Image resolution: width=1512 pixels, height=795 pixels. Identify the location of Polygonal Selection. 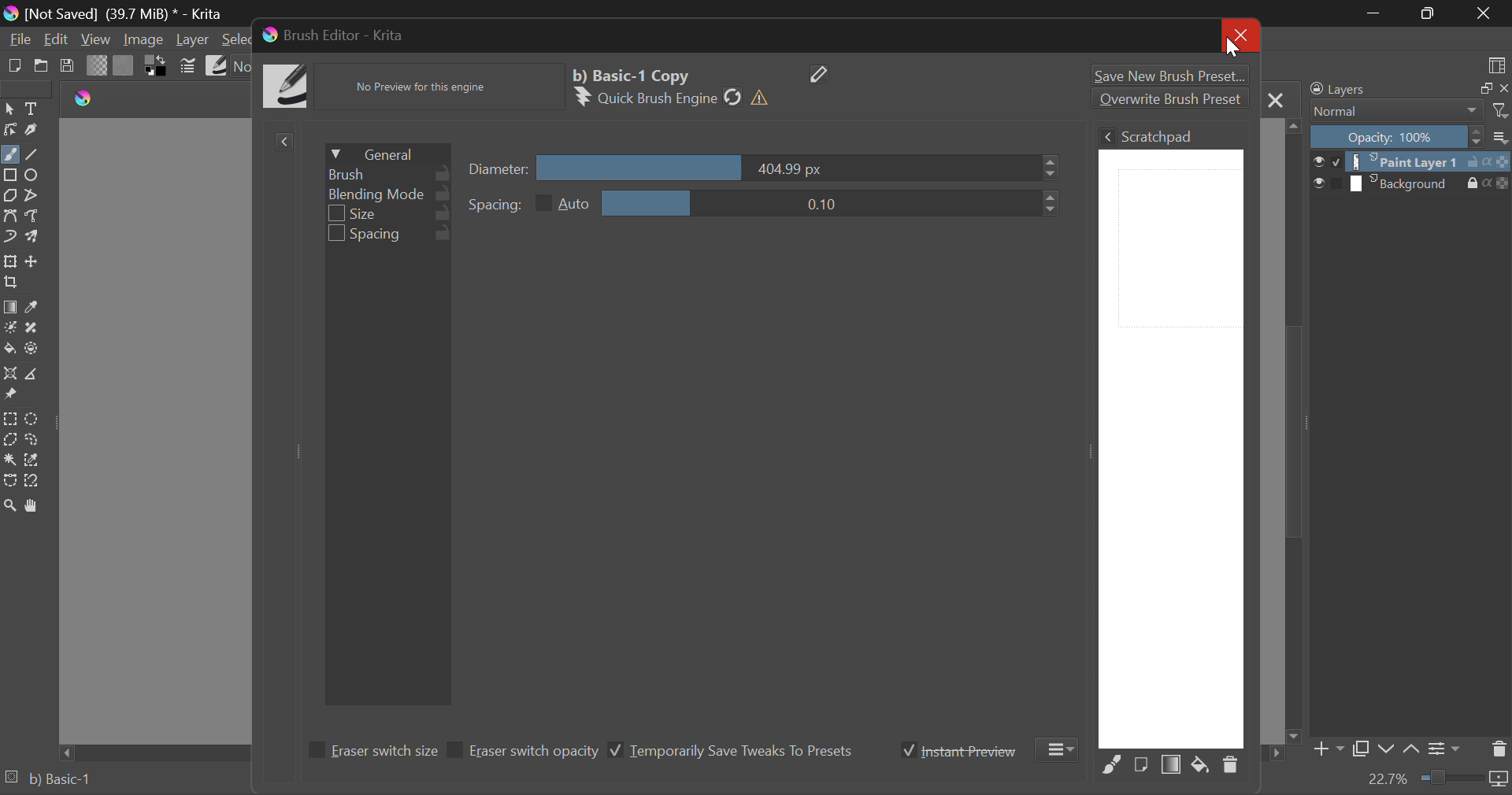
(9, 439).